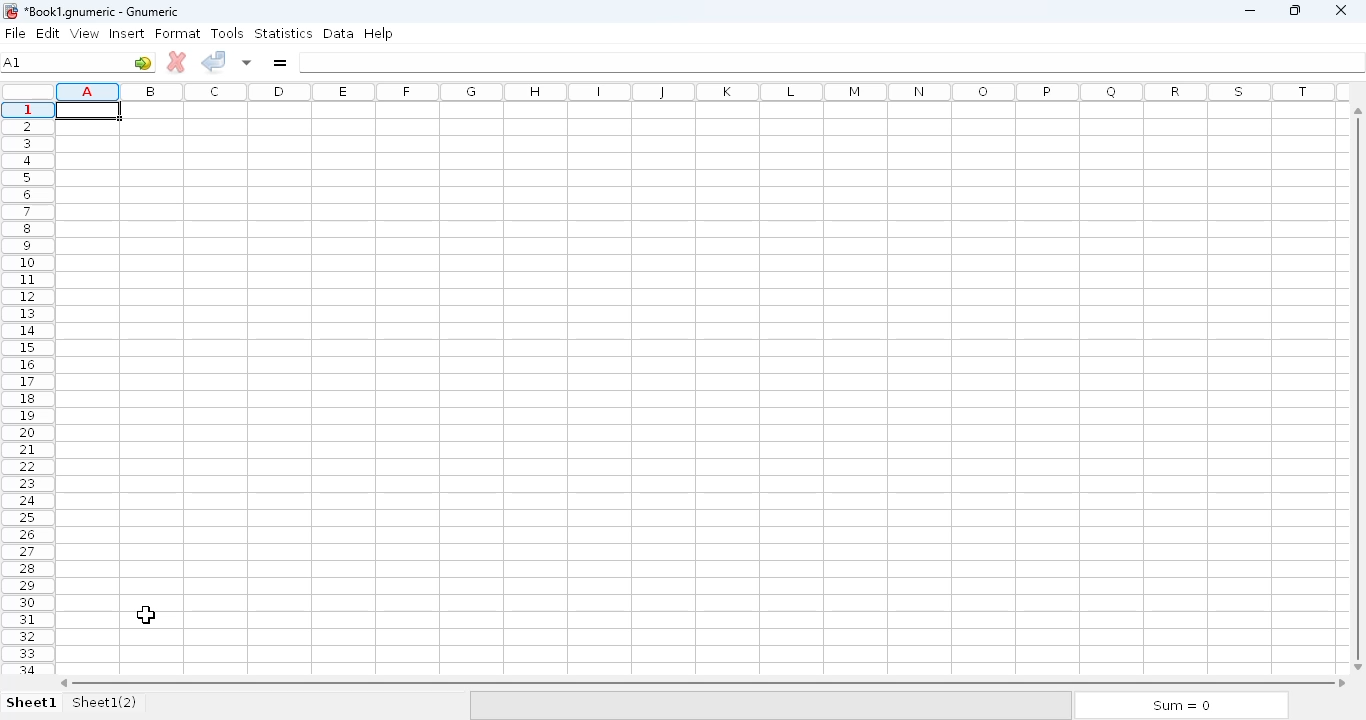 The image size is (1366, 720). I want to click on *Book1.gnumeric - Gnumeric, so click(105, 11).